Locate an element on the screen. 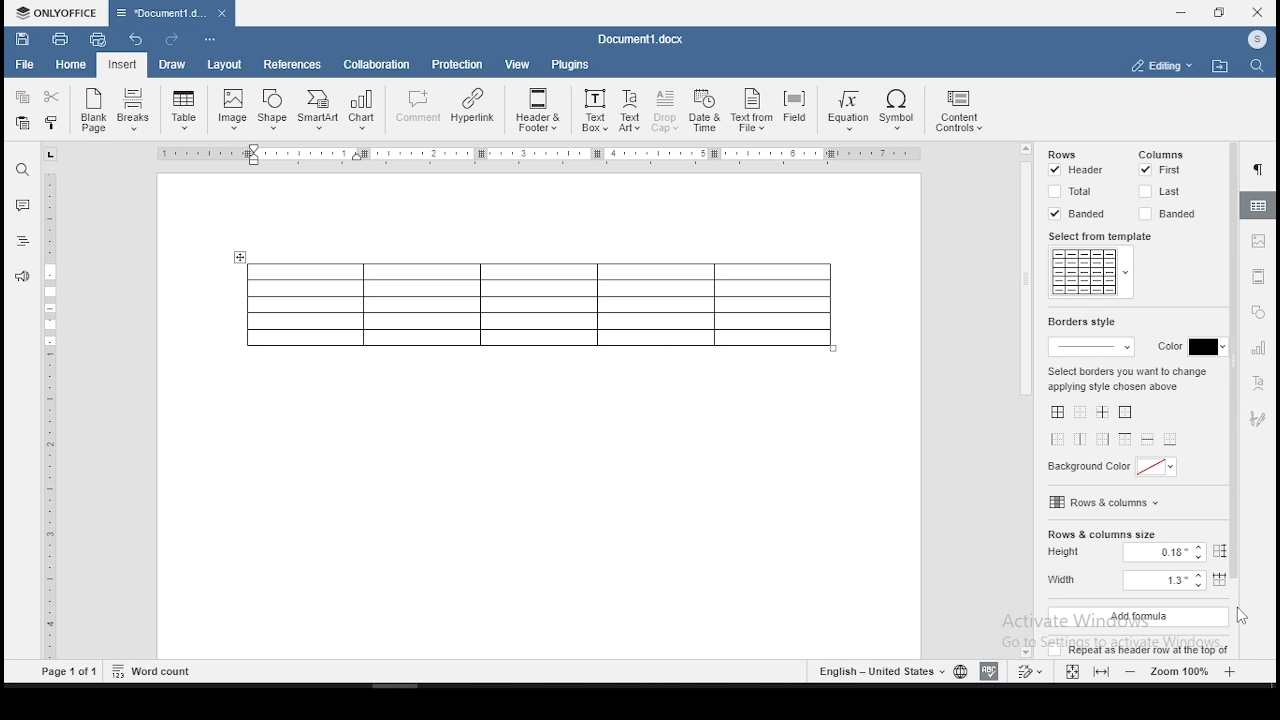 This screenshot has height=720, width=1280. protection is located at coordinates (459, 64).